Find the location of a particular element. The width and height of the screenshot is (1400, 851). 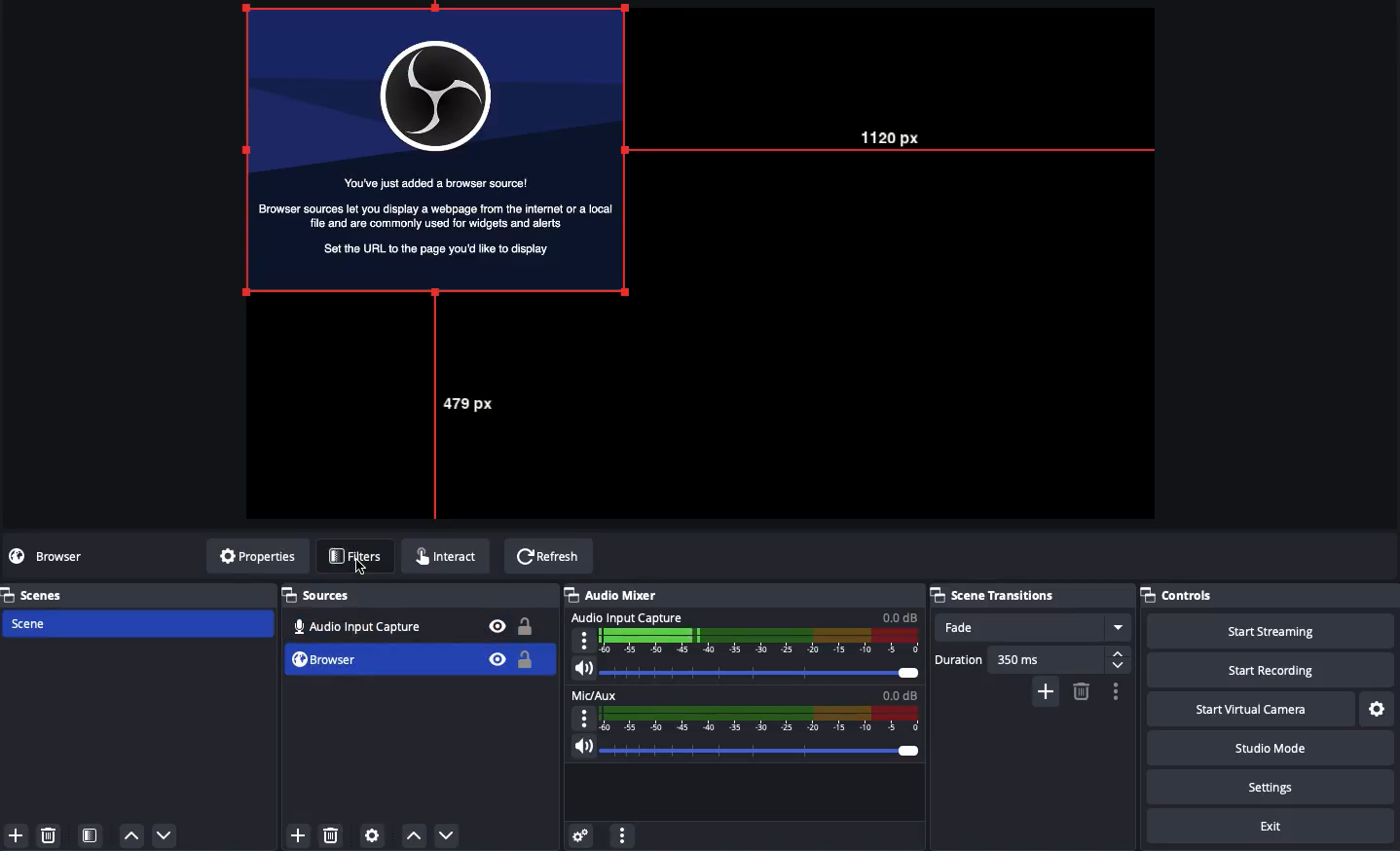

Delete is located at coordinates (329, 832).